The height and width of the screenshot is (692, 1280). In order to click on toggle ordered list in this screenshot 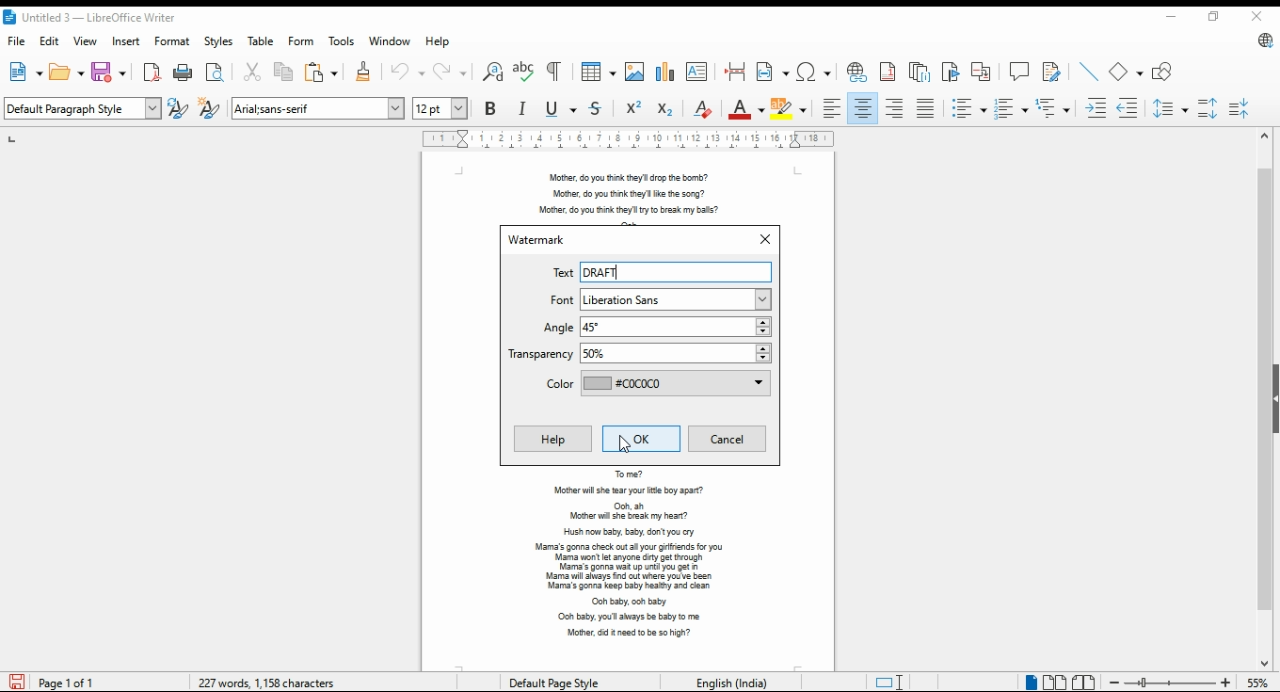, I will do `click(1010, 109)`.